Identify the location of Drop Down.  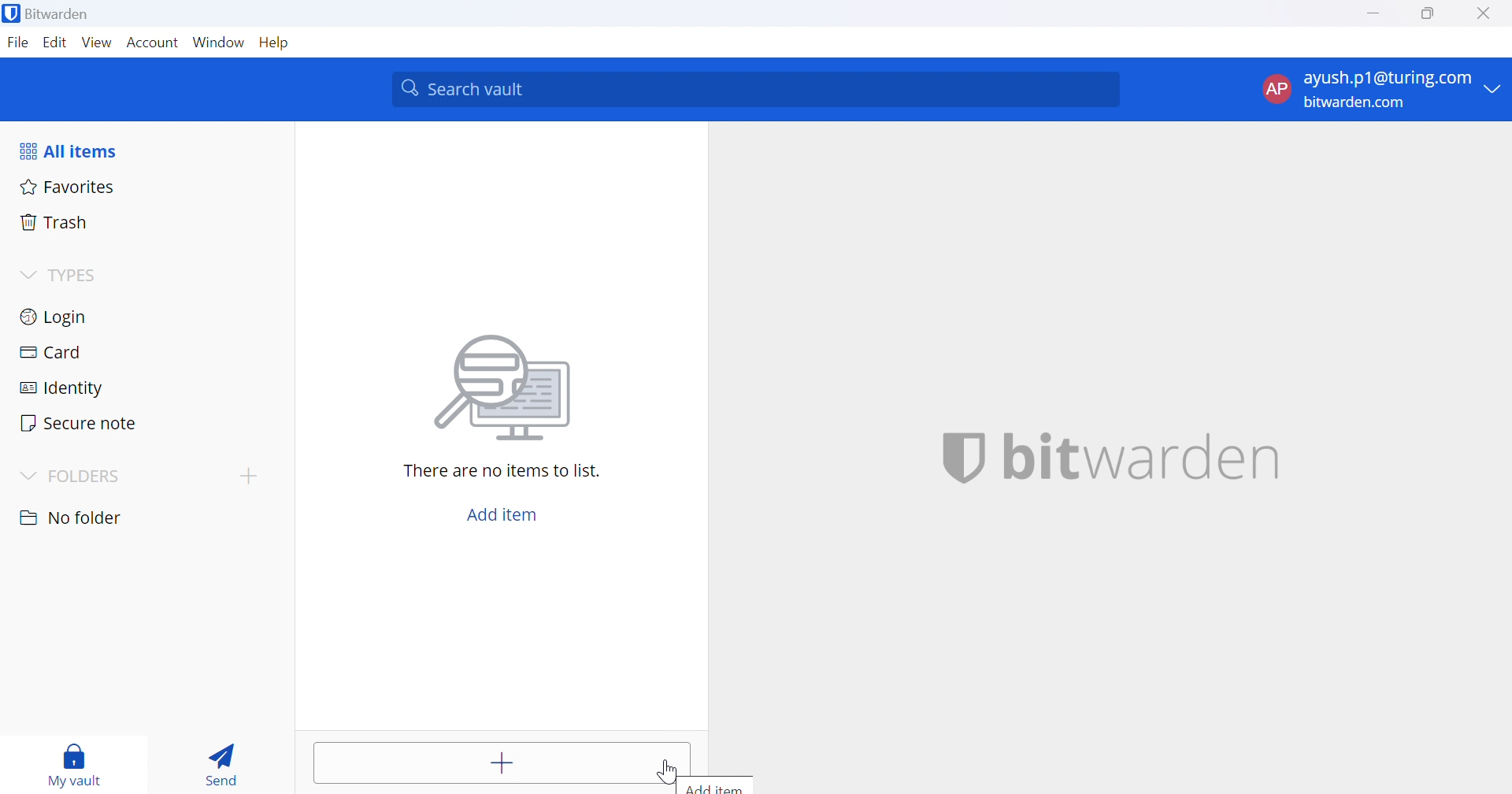
(29, 475).